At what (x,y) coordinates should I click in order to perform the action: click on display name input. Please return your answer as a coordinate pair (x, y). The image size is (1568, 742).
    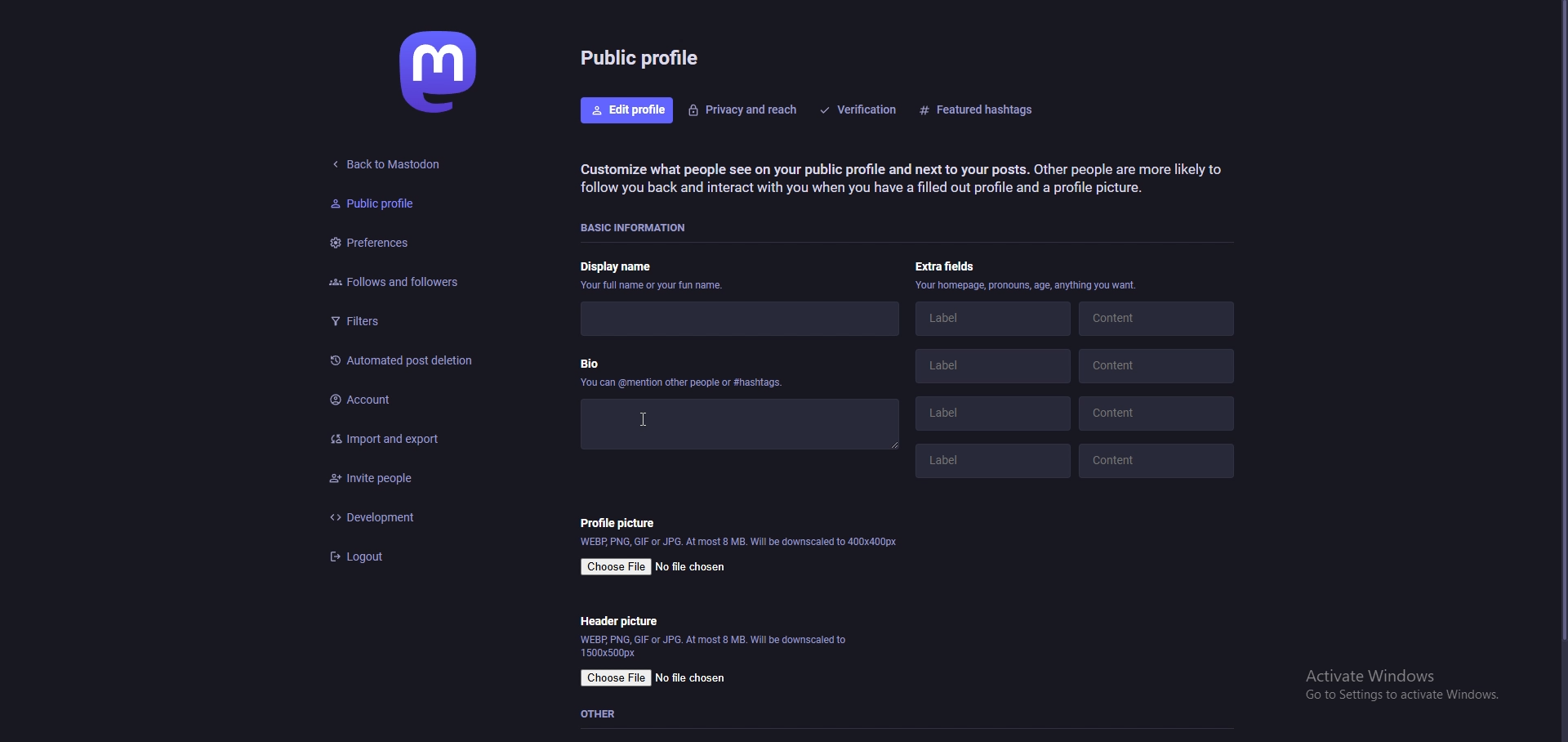
    Looking at the image, I should click on (737, 320).